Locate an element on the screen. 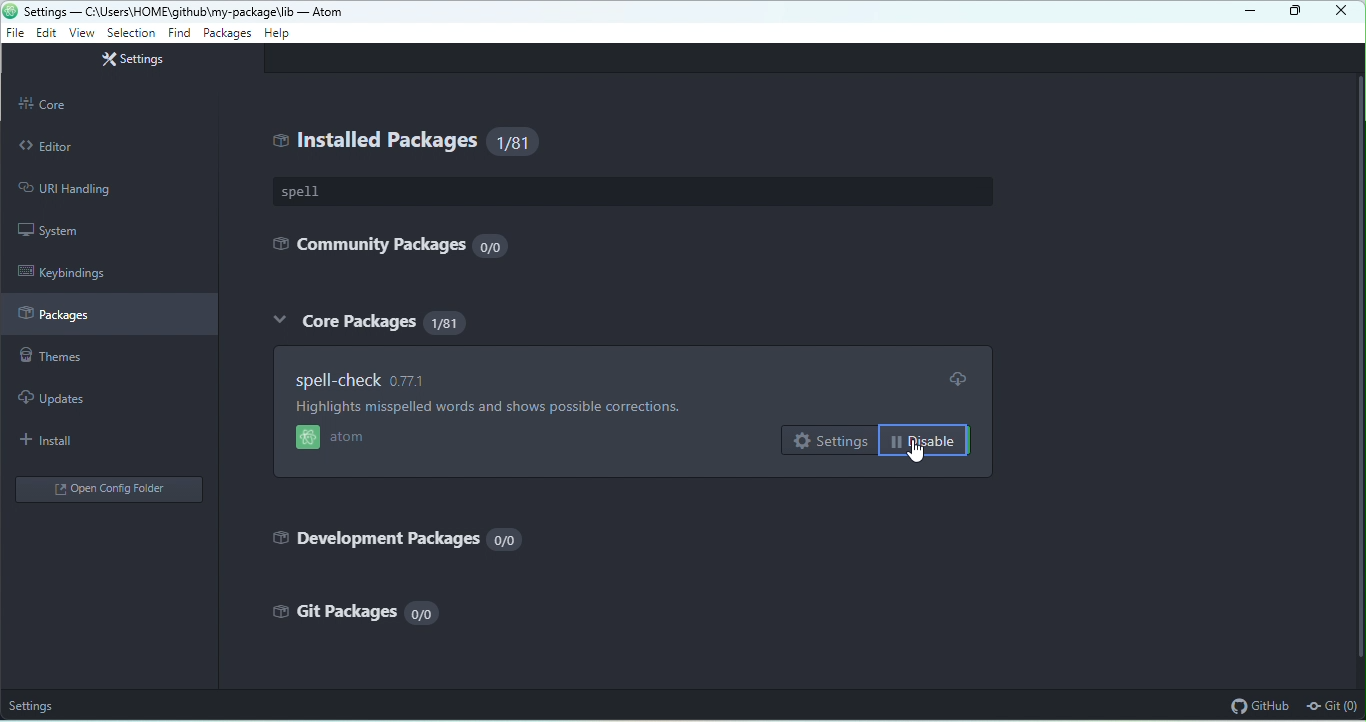 The height and width of the screenshot is (722, 1366). edit is located at coordinates (46, 32).